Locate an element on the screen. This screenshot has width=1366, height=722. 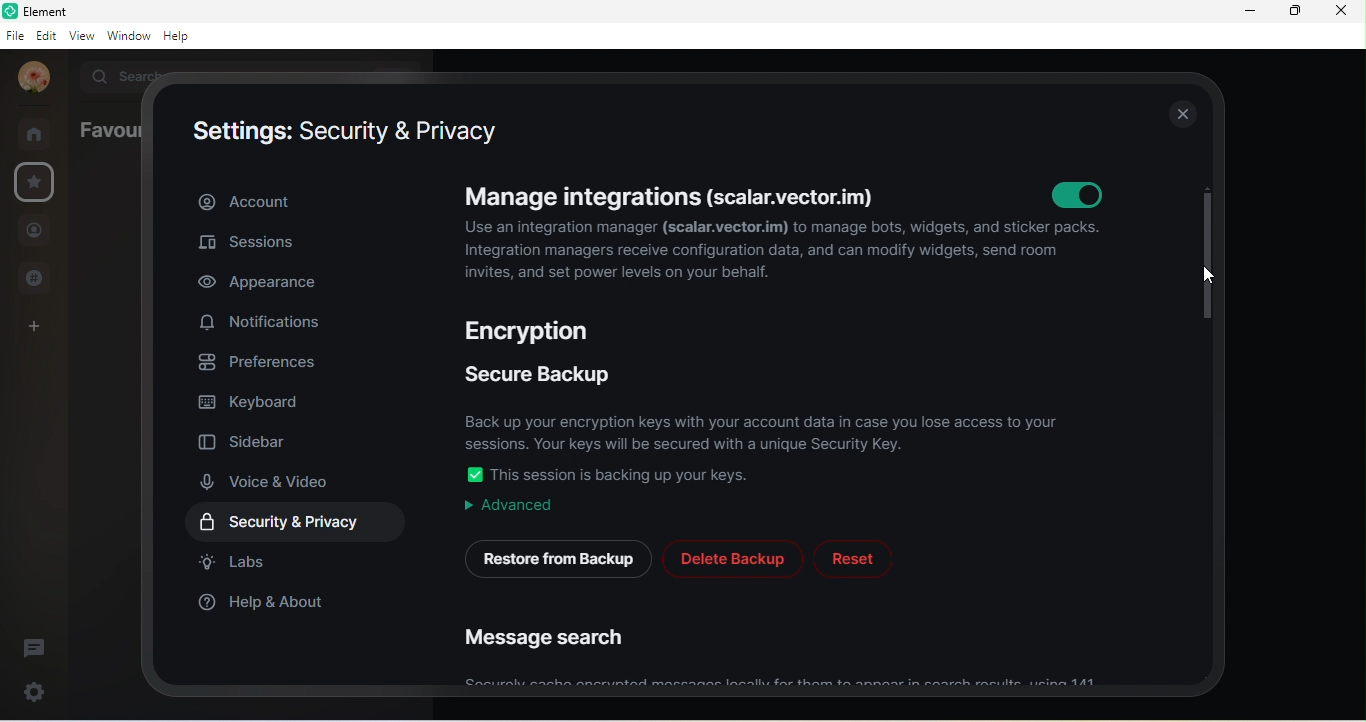
toggle switch is located at coordinates (474, 474).